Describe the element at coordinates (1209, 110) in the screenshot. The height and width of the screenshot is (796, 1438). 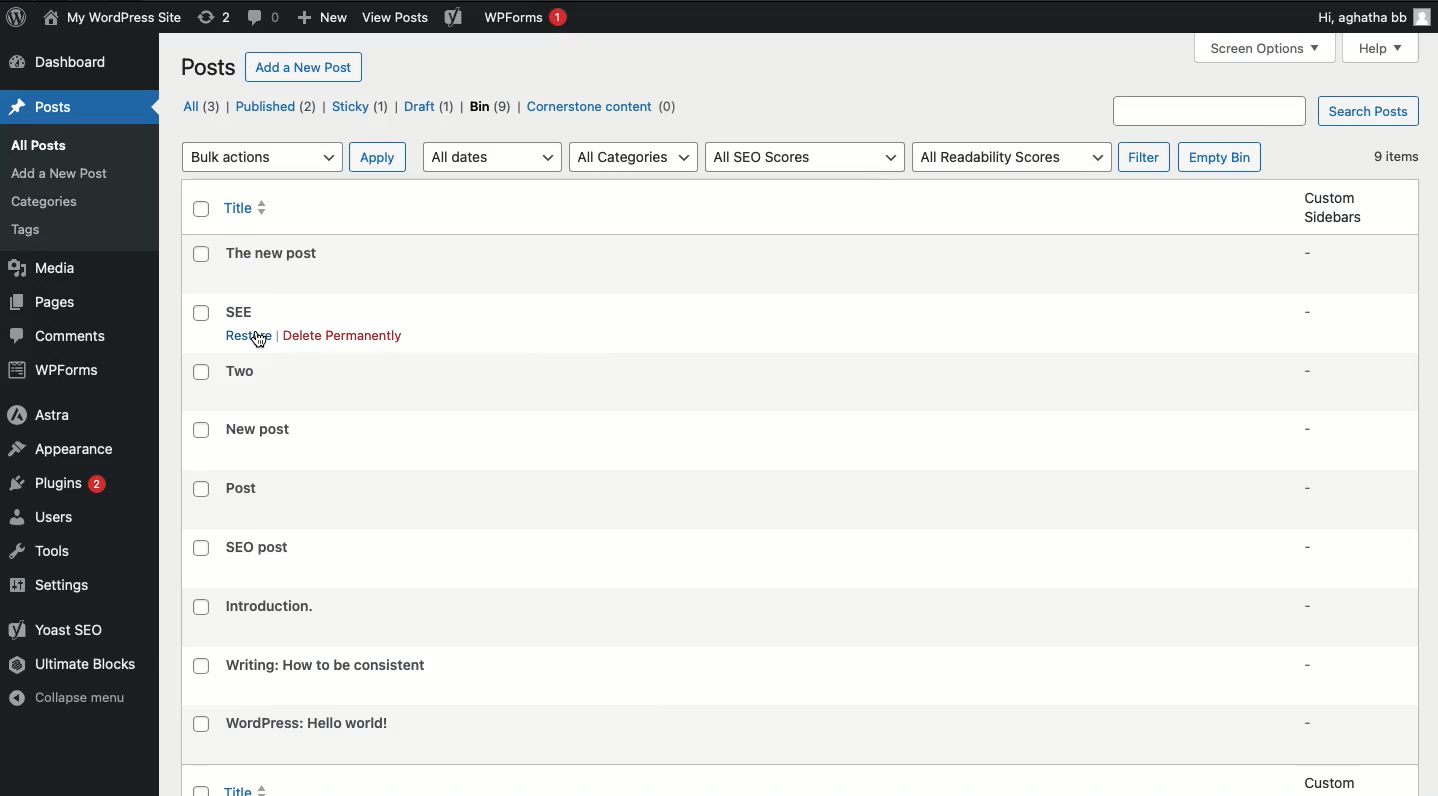
I see `Search` at that location.